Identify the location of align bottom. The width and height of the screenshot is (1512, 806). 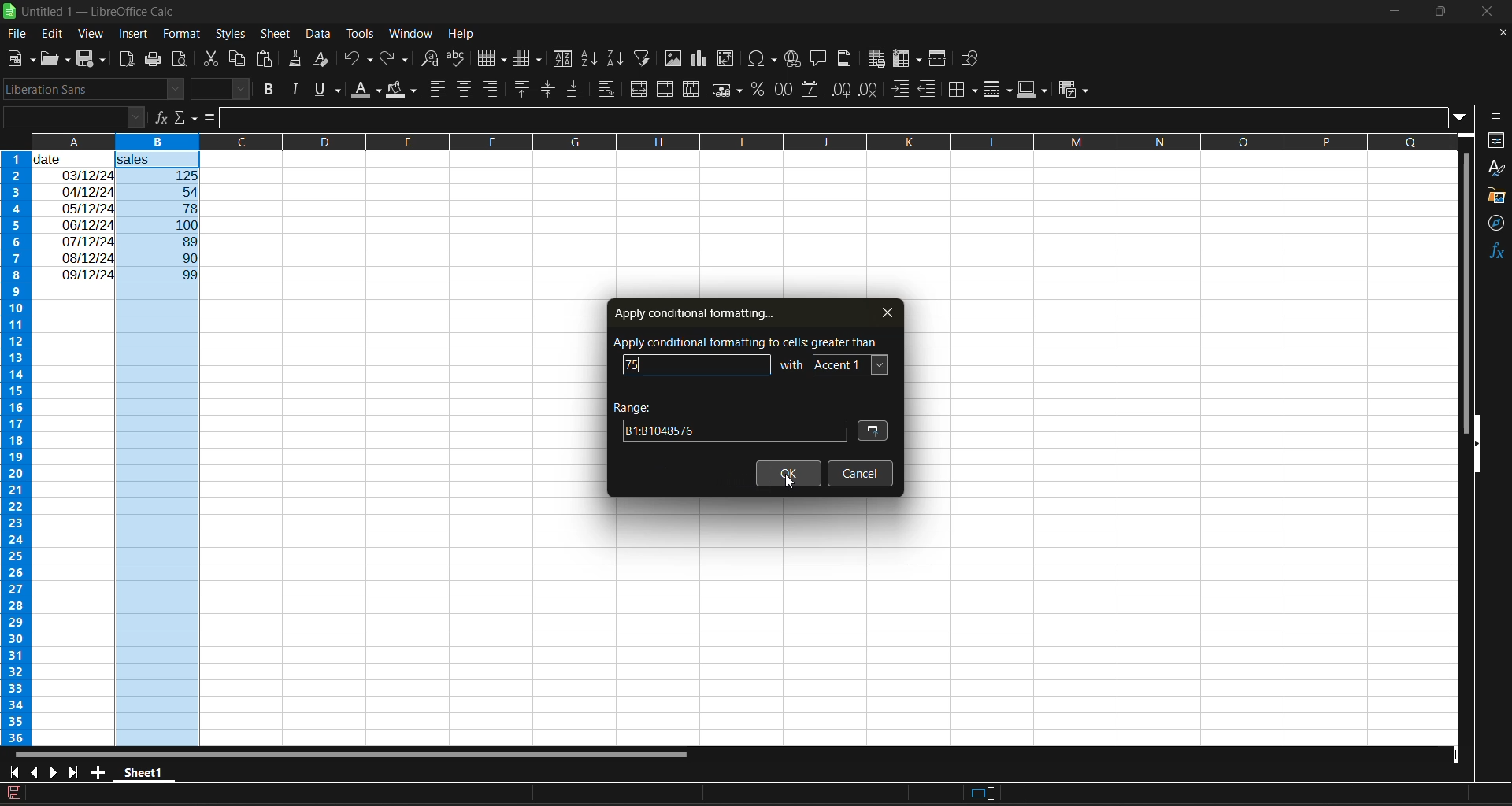
(572, 91).